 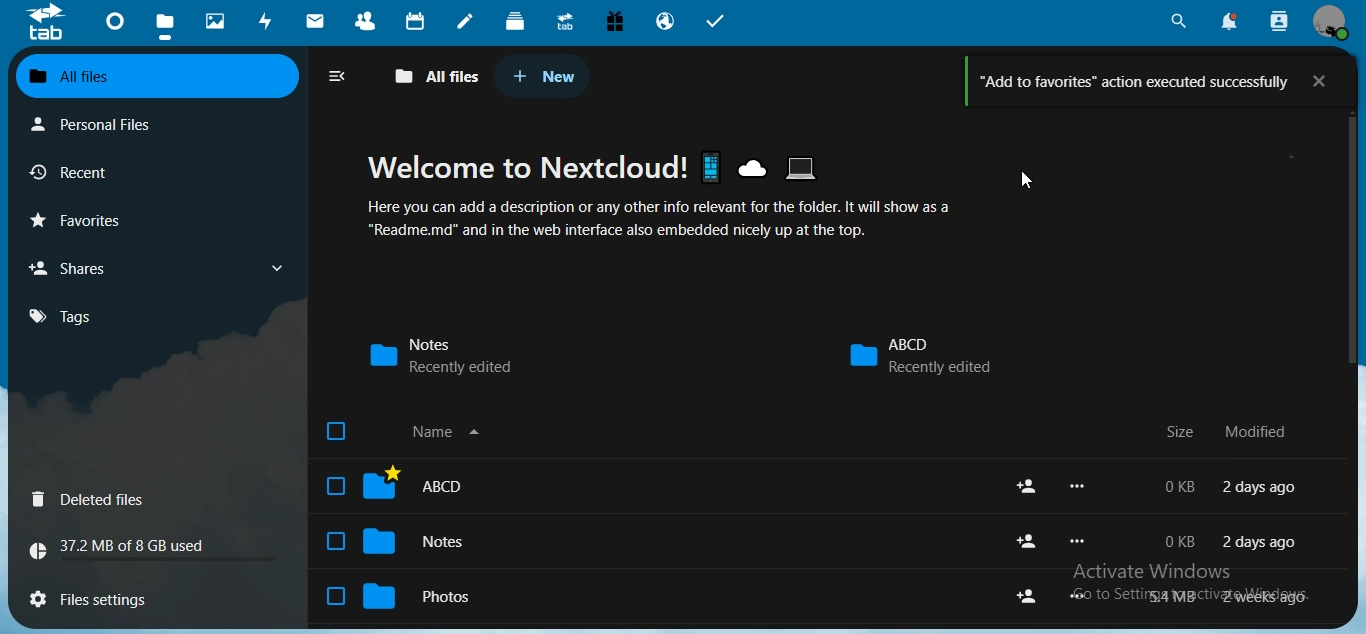 What do you see at coordinates (400, 485) in the screenshot?
I see `abcd` at bounding box center [400, 485].